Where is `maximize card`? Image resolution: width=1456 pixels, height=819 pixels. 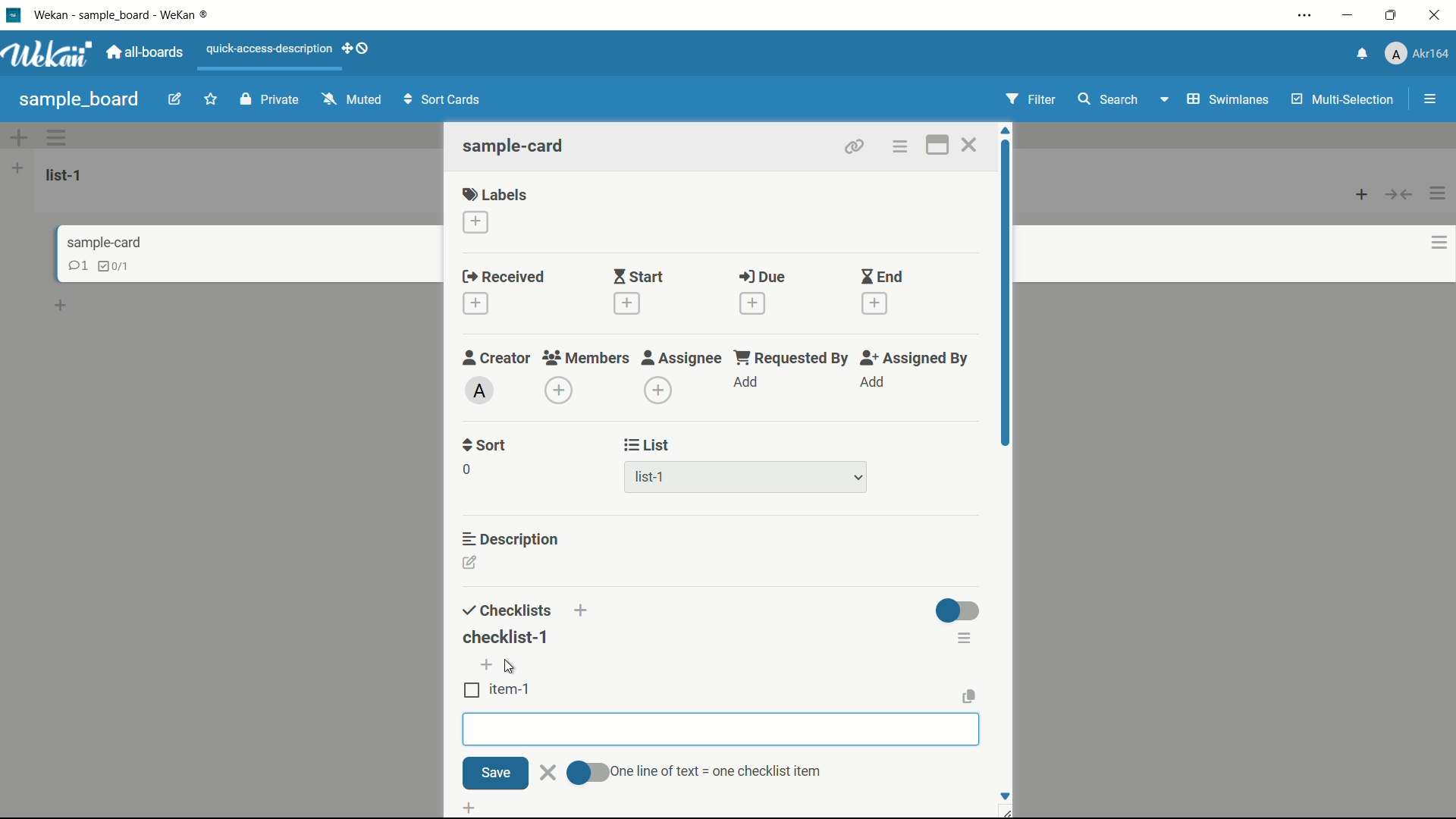
maximize card is located at coordinates (937, 145).